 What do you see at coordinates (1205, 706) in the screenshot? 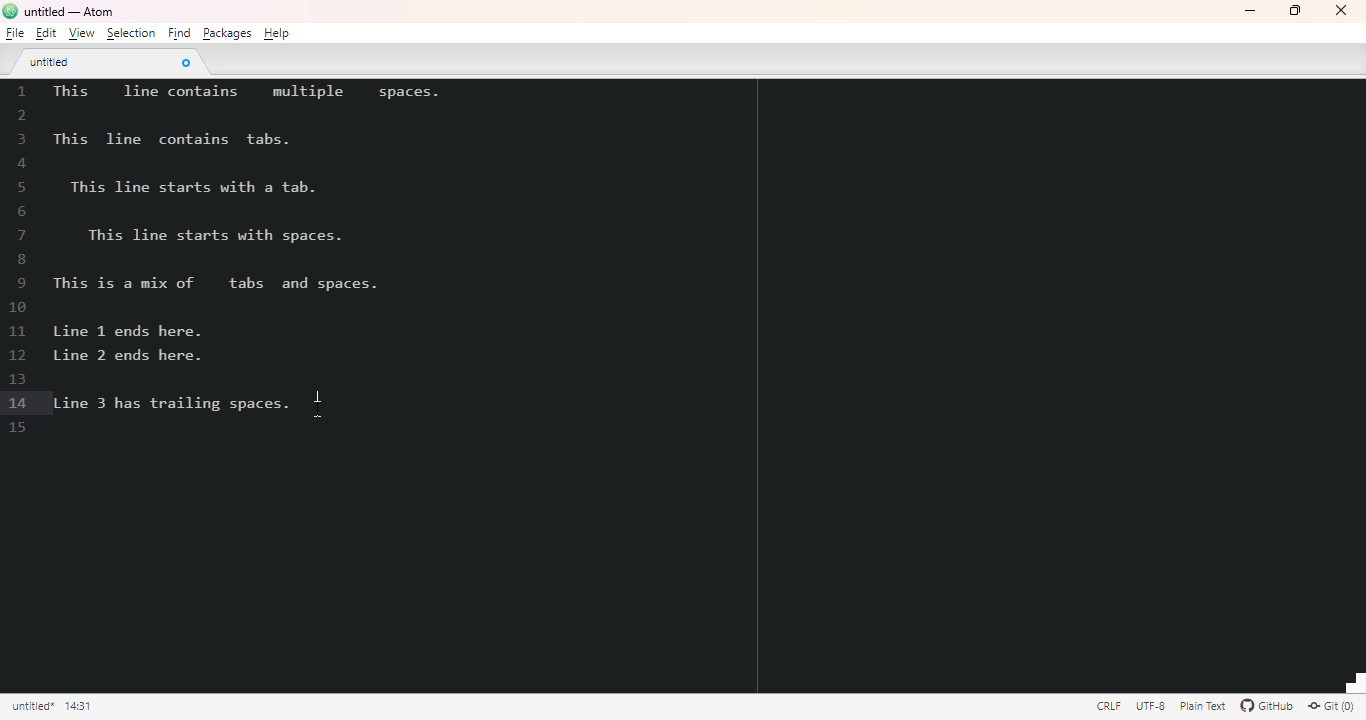
I see `file uses the plain text grammar` at bounding box center [1205, 706].